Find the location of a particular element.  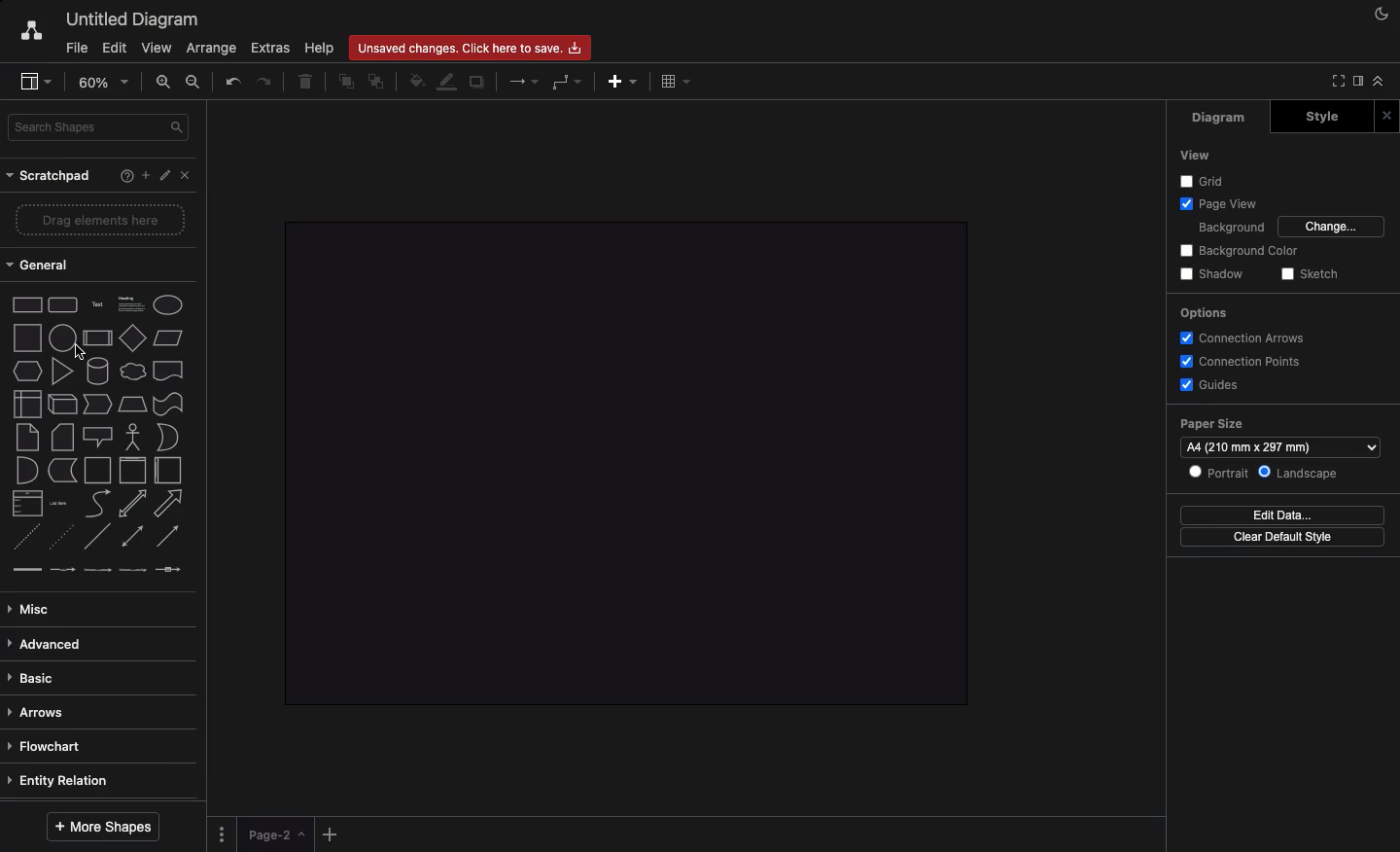

Connection points is located at coordinates (1242, 361).